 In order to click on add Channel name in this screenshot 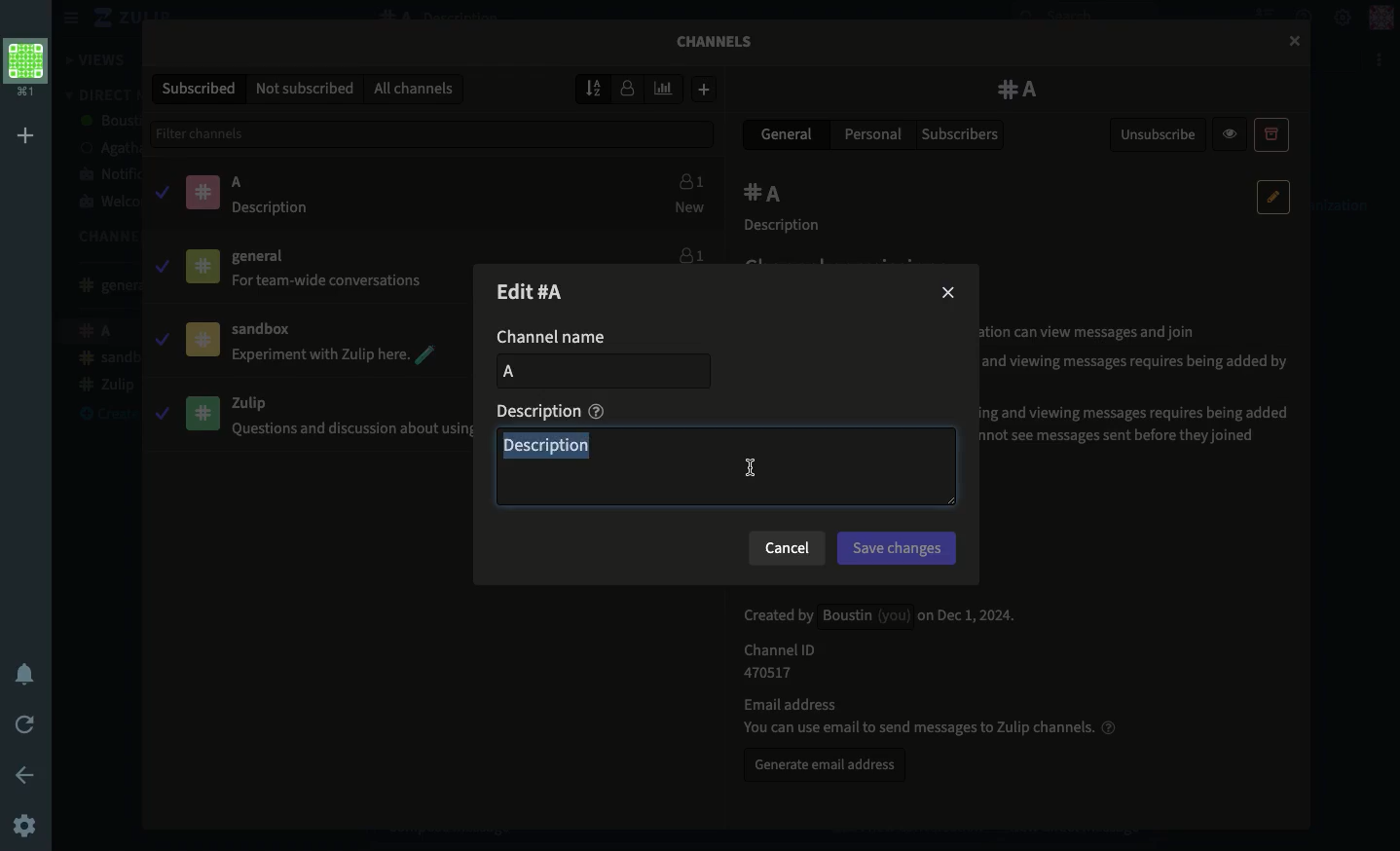, I will do `click(599, 373)`.